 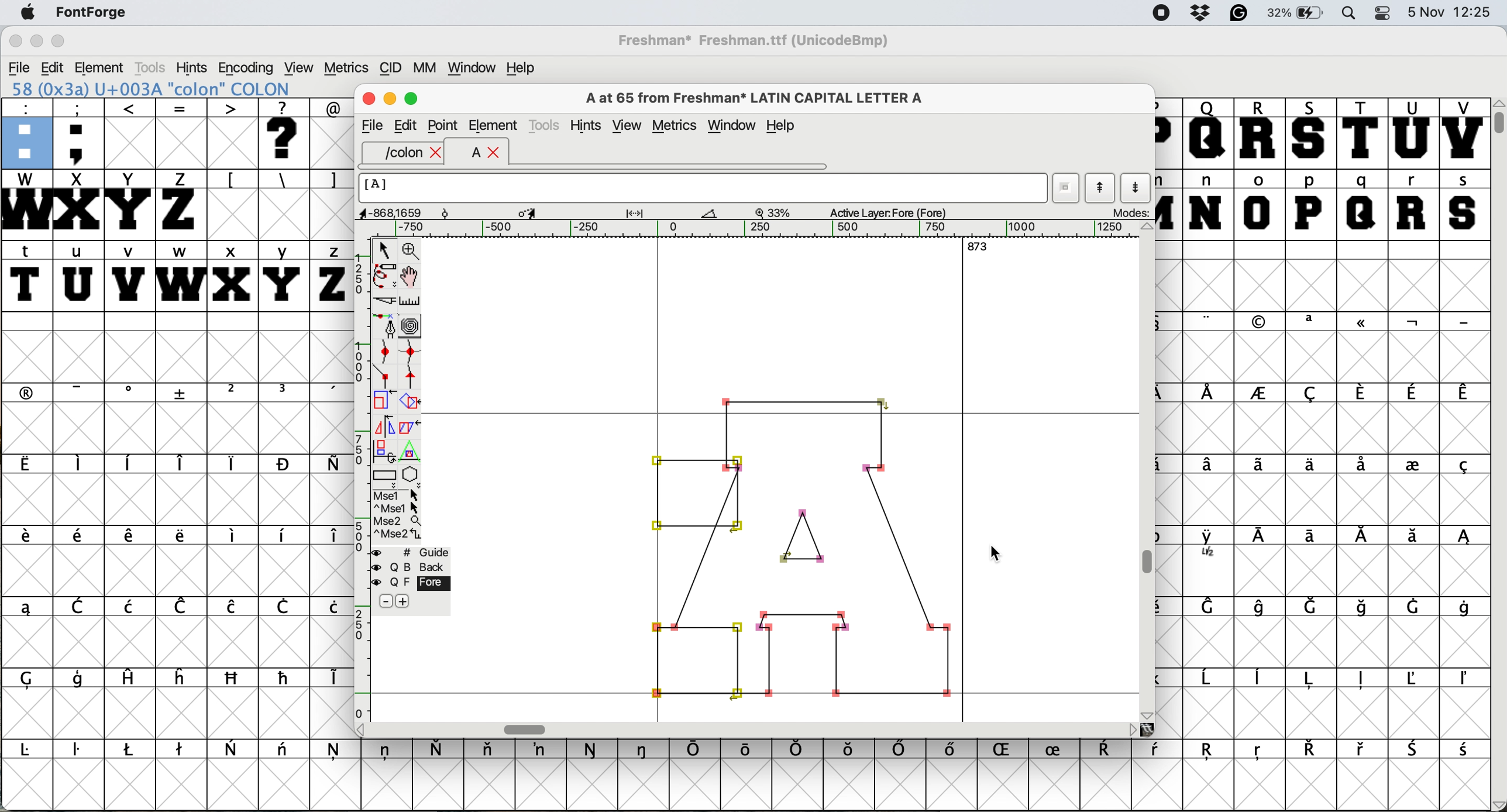 What do you see at coordinates (627, 125) in the screenshot?
I see `view` at bounding box center [627, 125].